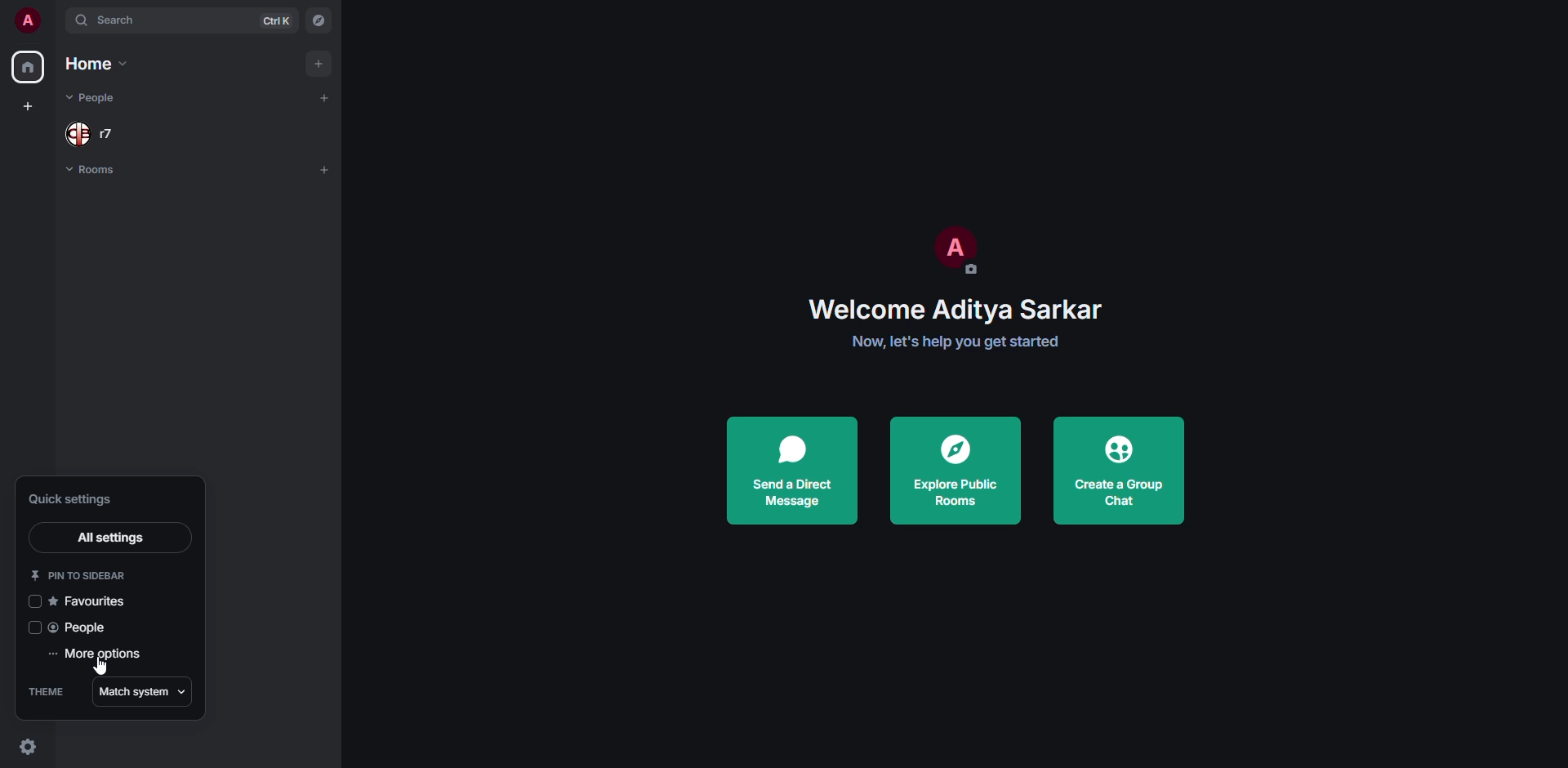 The width and height of the screenshot is (1568, 768). I want to click on all settings, so click(115, 537).